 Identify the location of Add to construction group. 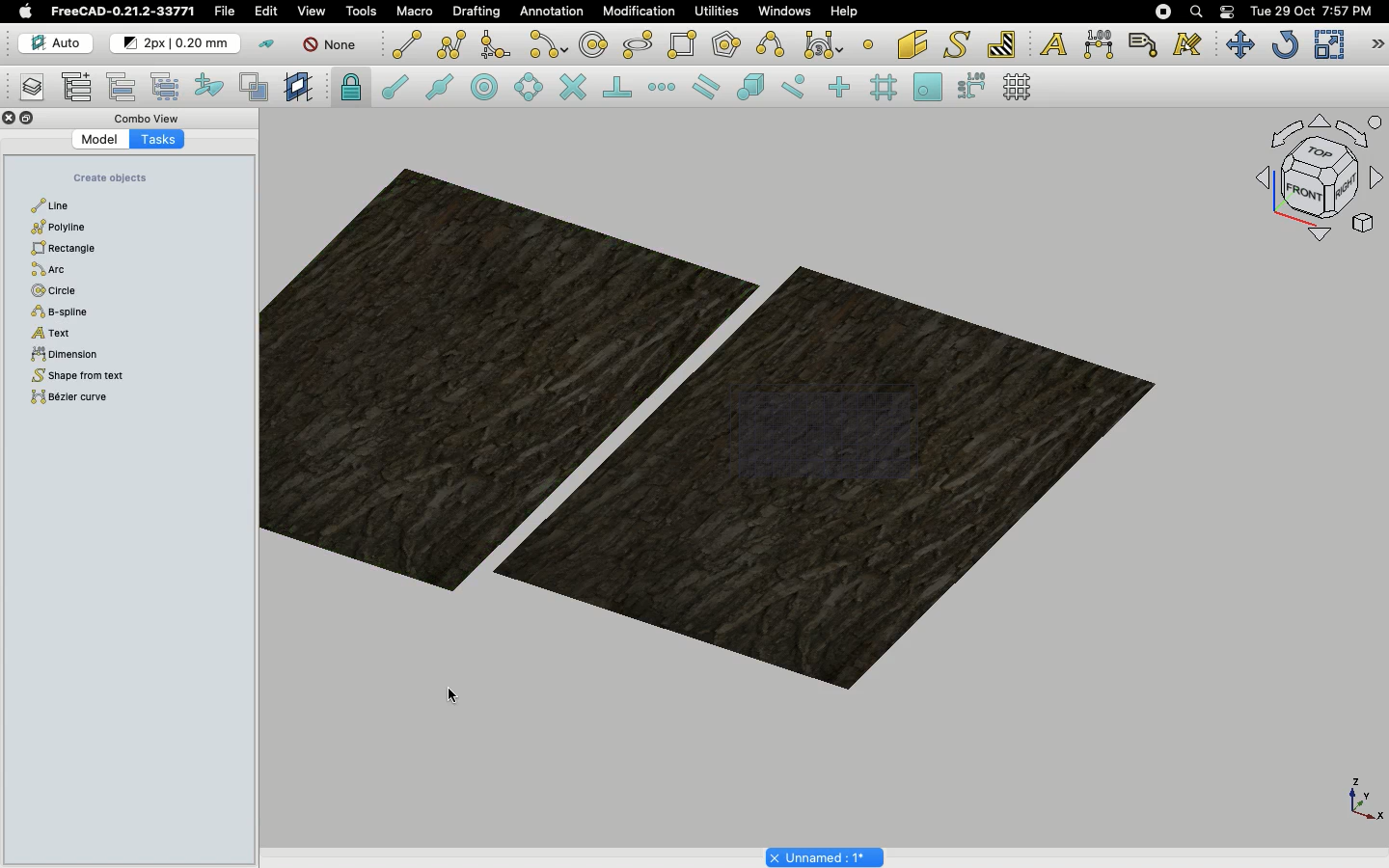
(210, 84).